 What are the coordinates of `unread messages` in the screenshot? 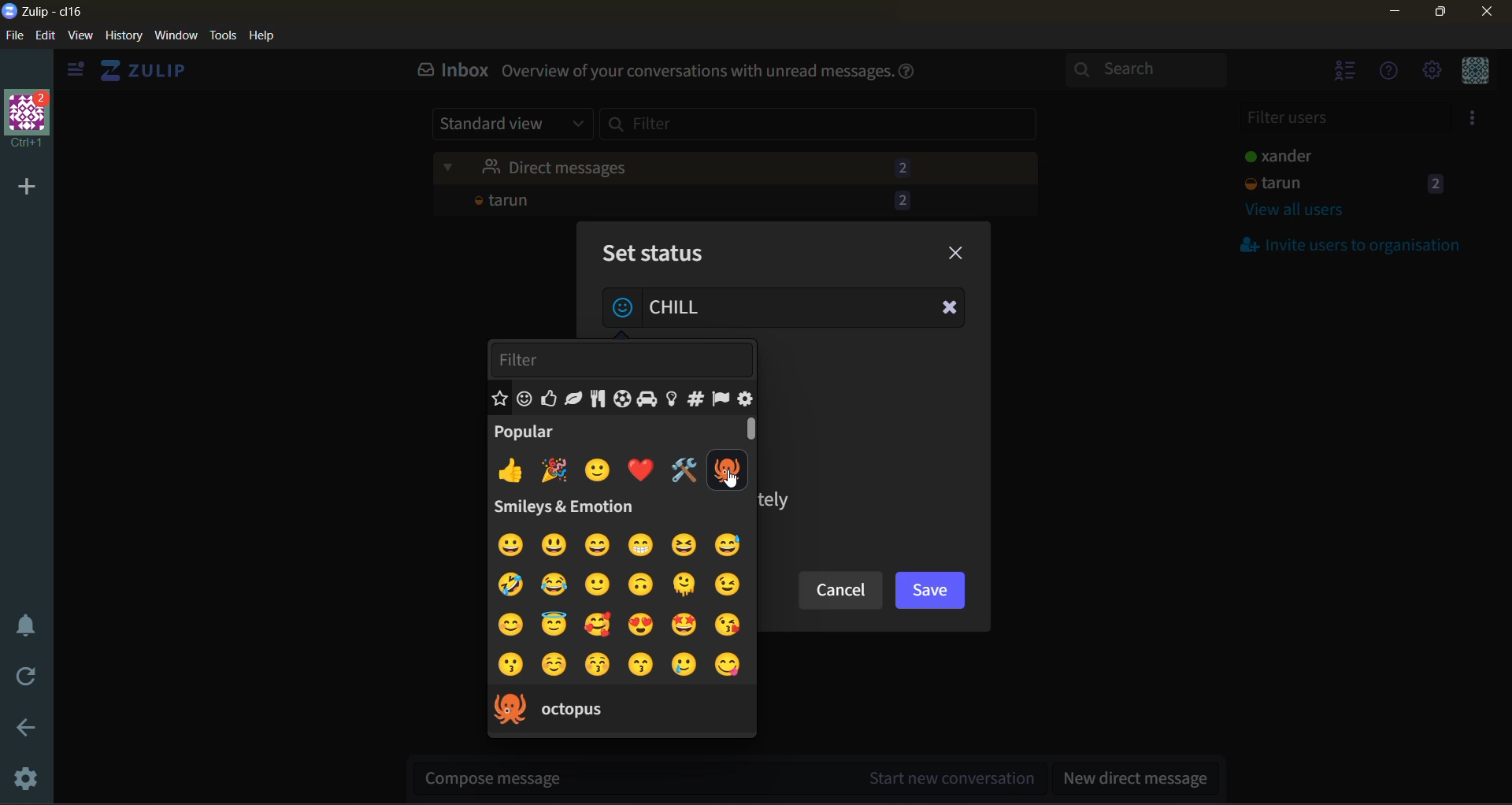 It's located at (737, 163).